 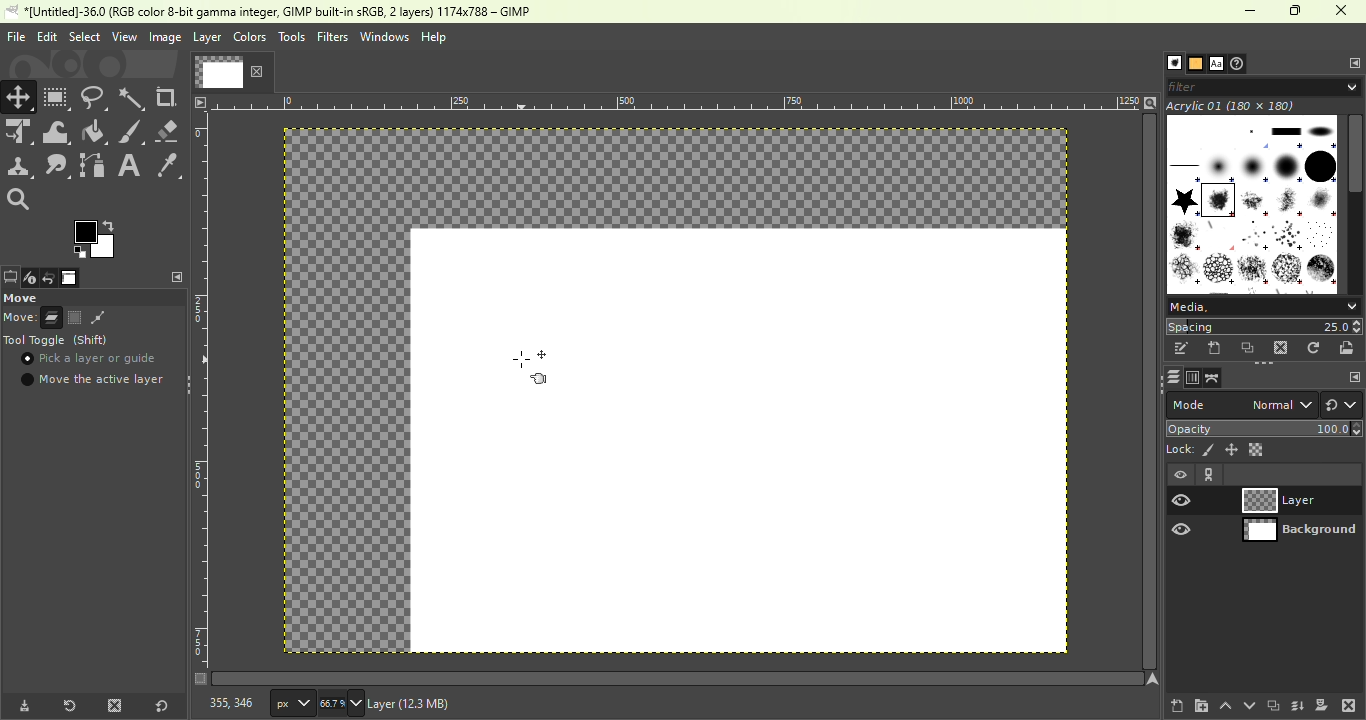 What do you see at coordinates (1257, 449) in the screenshot?
I see `Lock alpha channel` at bounding box center [1257, 449].